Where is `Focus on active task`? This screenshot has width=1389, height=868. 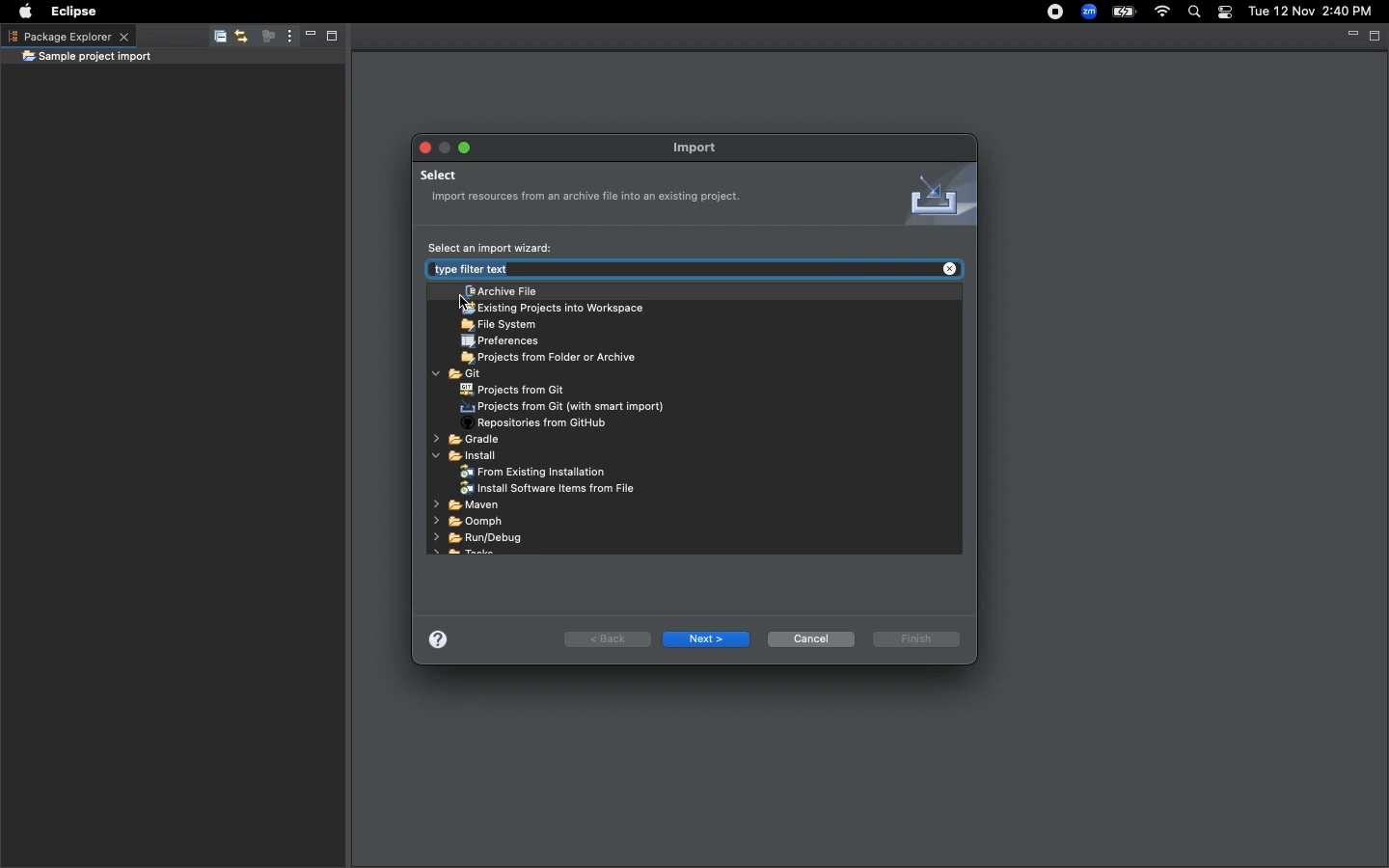
Focus on active task is located at coordinates (262, 38).